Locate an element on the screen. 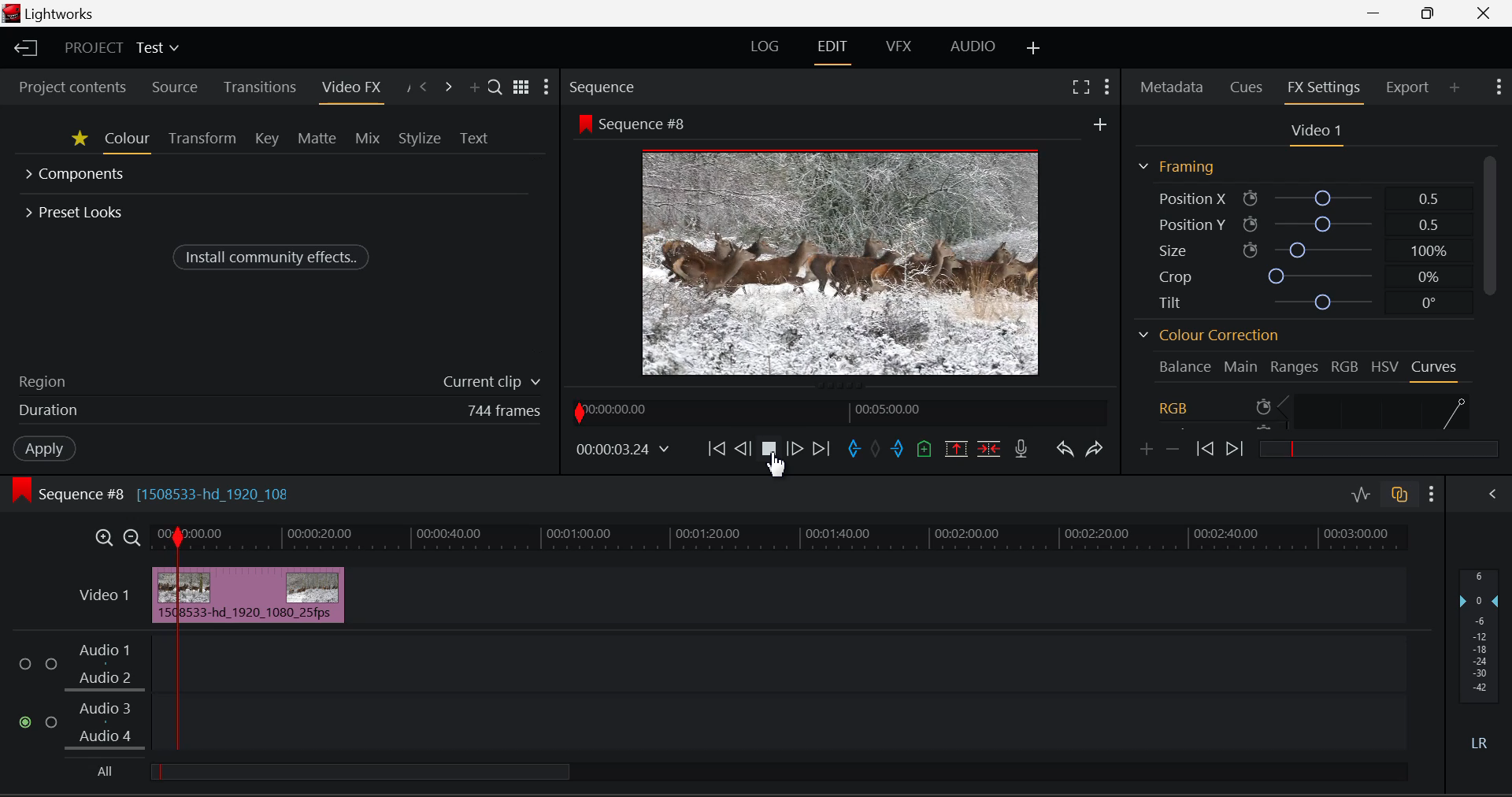 The height and width of the screenshot is (797, 1512). Clip Inserted is located at coordinates (247, 595).